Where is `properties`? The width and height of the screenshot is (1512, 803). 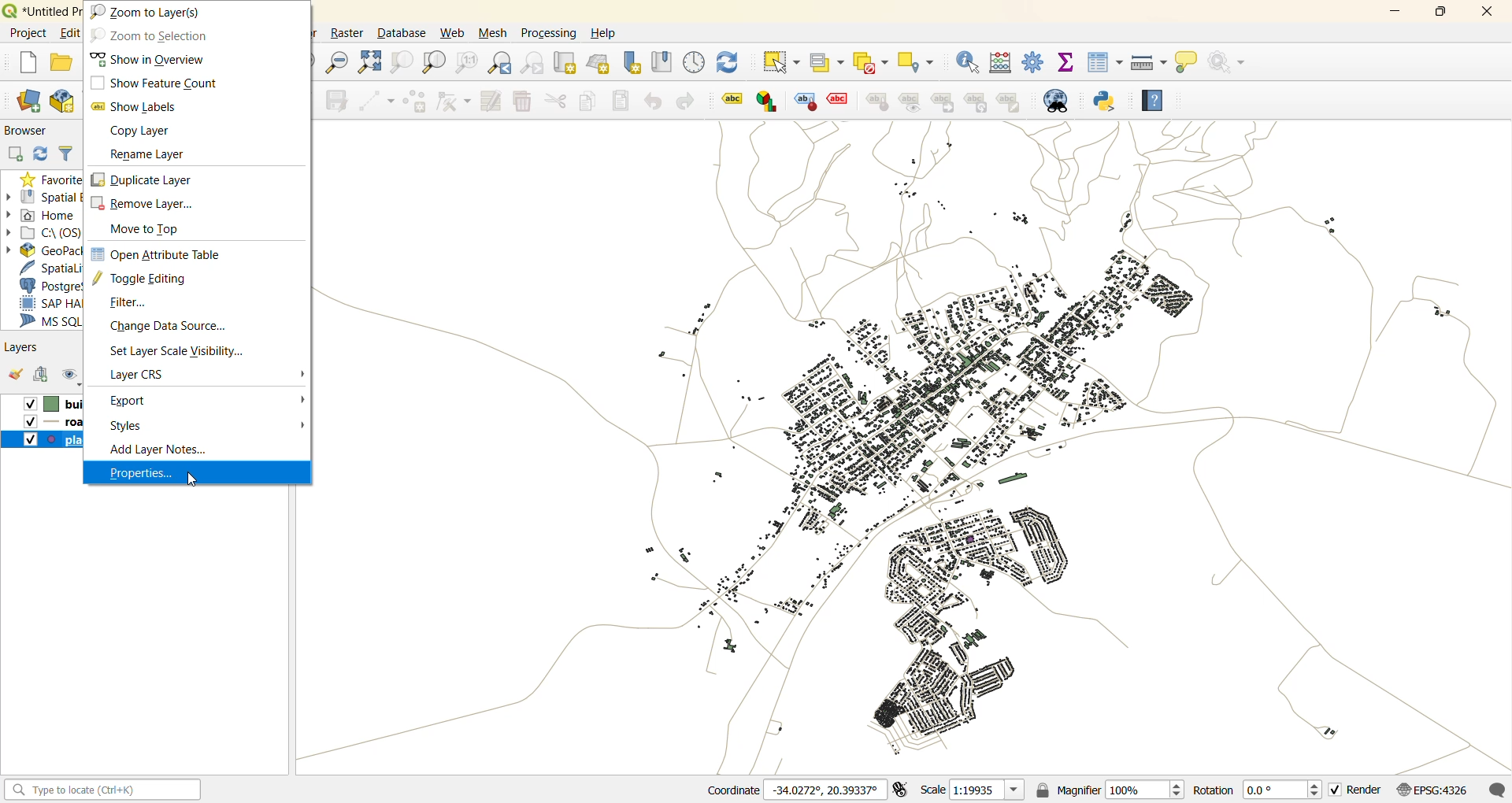
properties is located at coordinates (143, 474).